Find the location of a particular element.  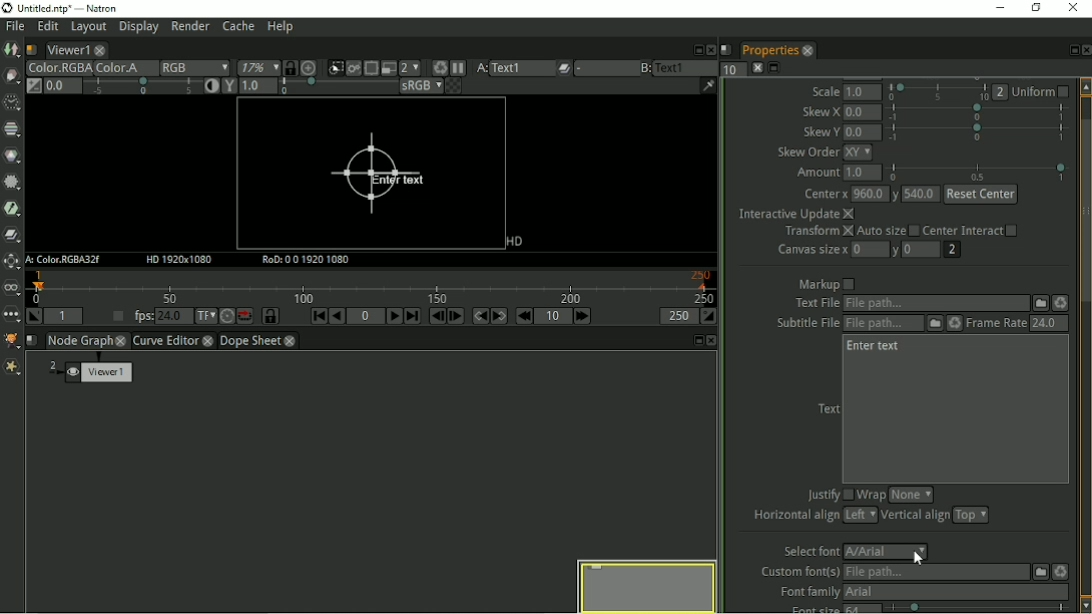

Enter text is located at coordinates (876, 348).